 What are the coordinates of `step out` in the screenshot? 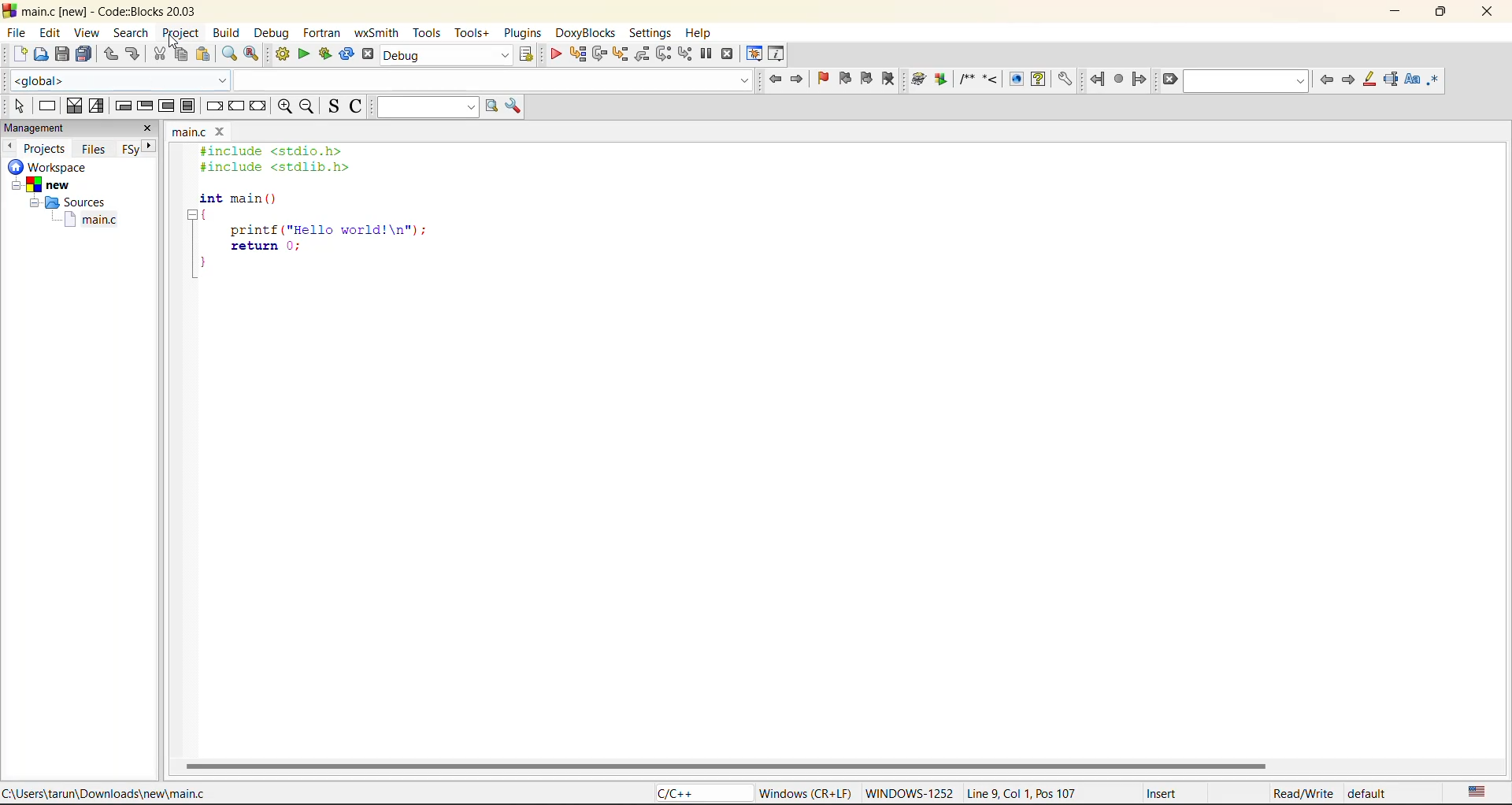 It's located at (643, 54).